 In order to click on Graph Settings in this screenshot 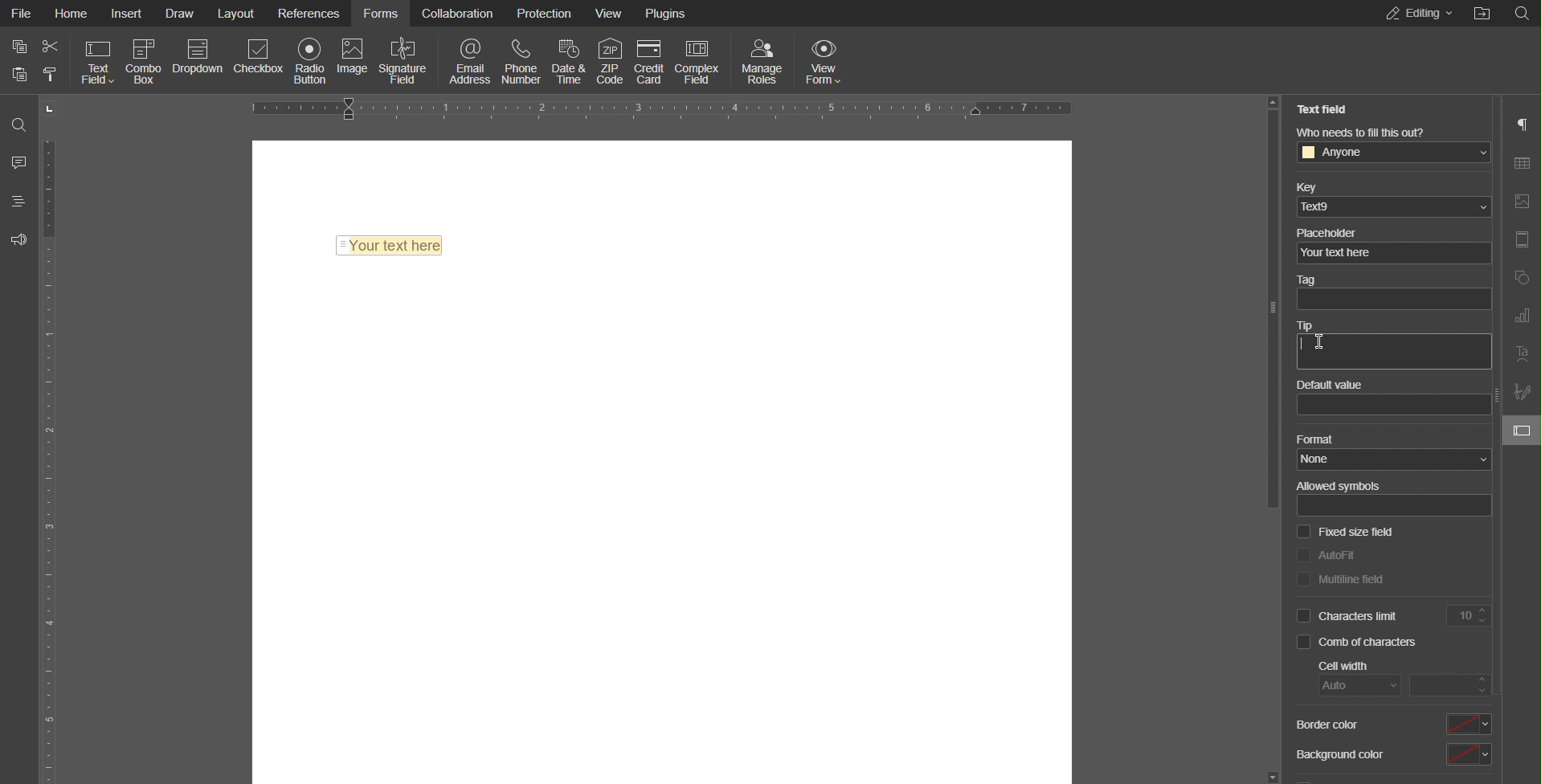, I will do `click(1520, 314)`.